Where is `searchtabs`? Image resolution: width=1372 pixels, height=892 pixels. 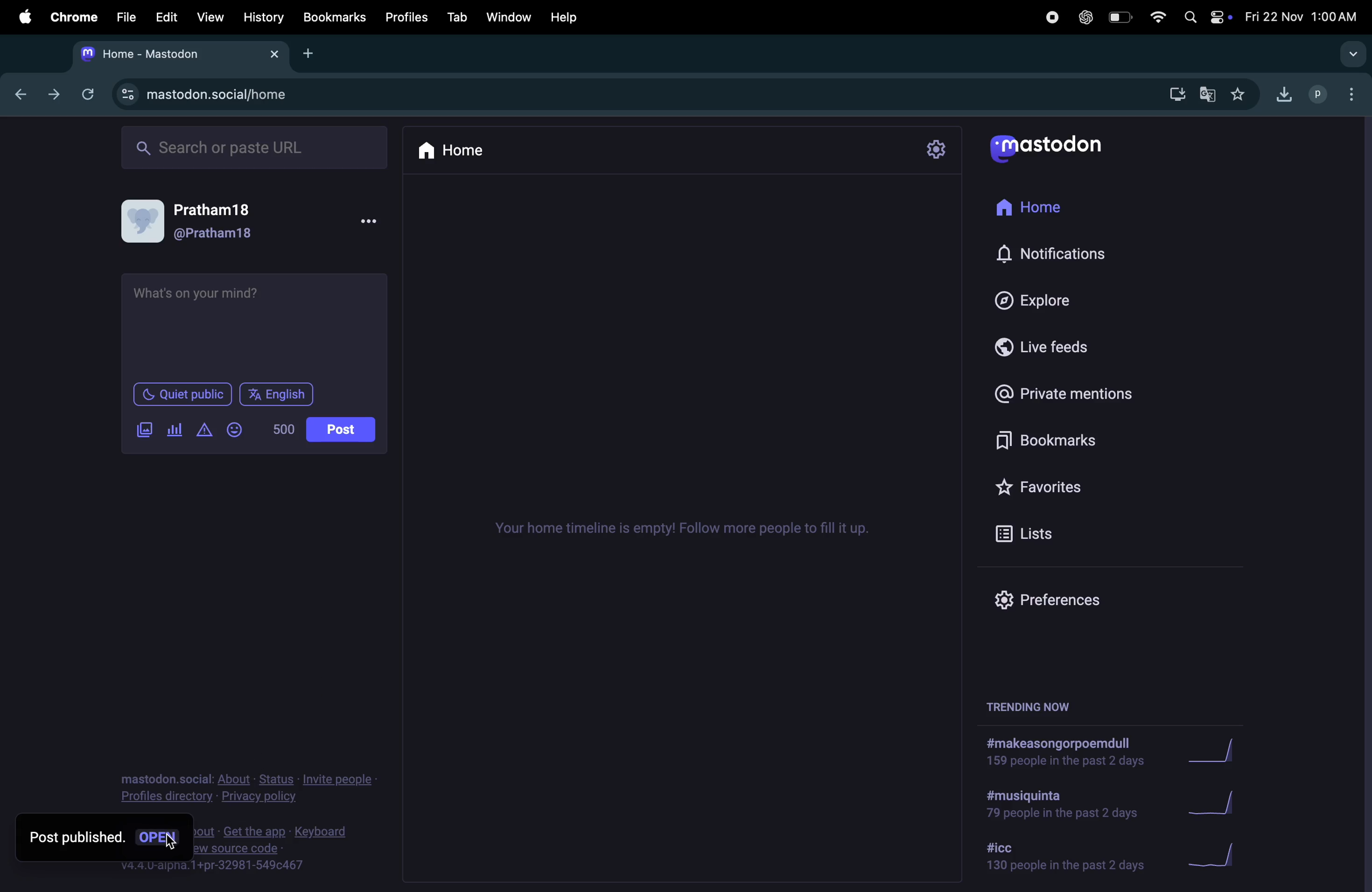 searchtabs is located at coordinates (1349, 56).